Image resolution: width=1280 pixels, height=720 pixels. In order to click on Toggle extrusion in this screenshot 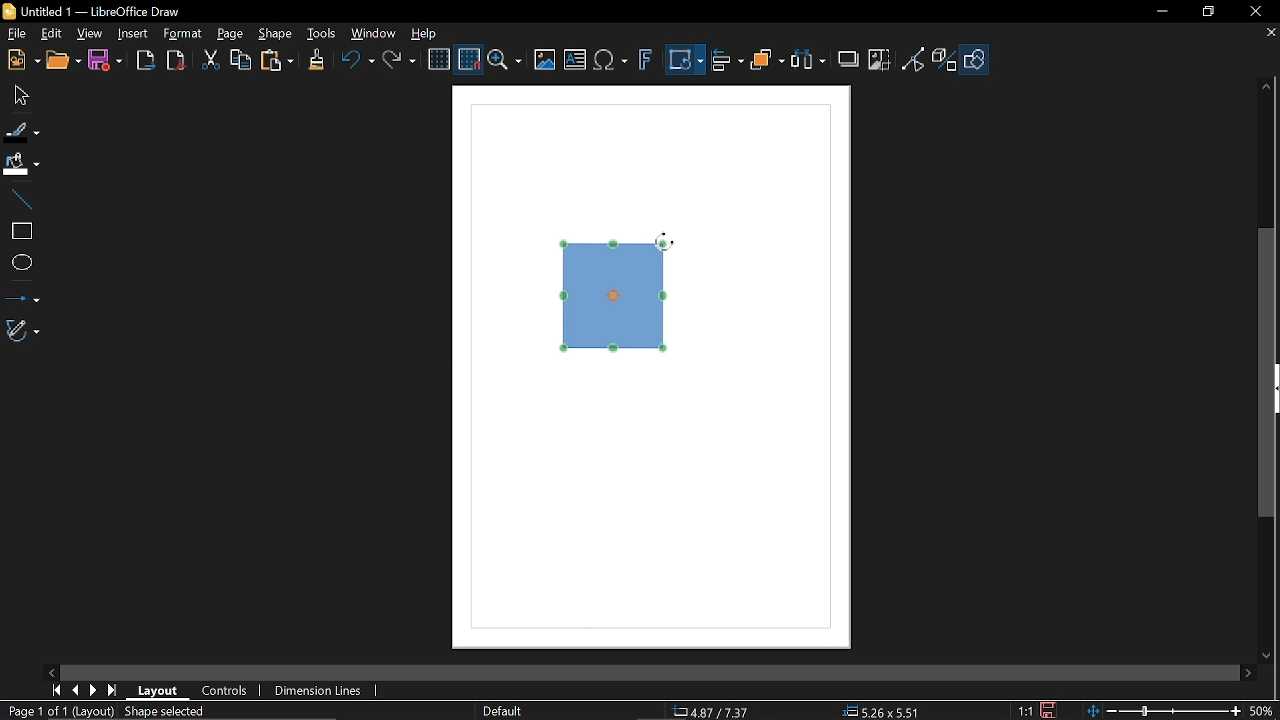, I will do `click(945, 59)`.